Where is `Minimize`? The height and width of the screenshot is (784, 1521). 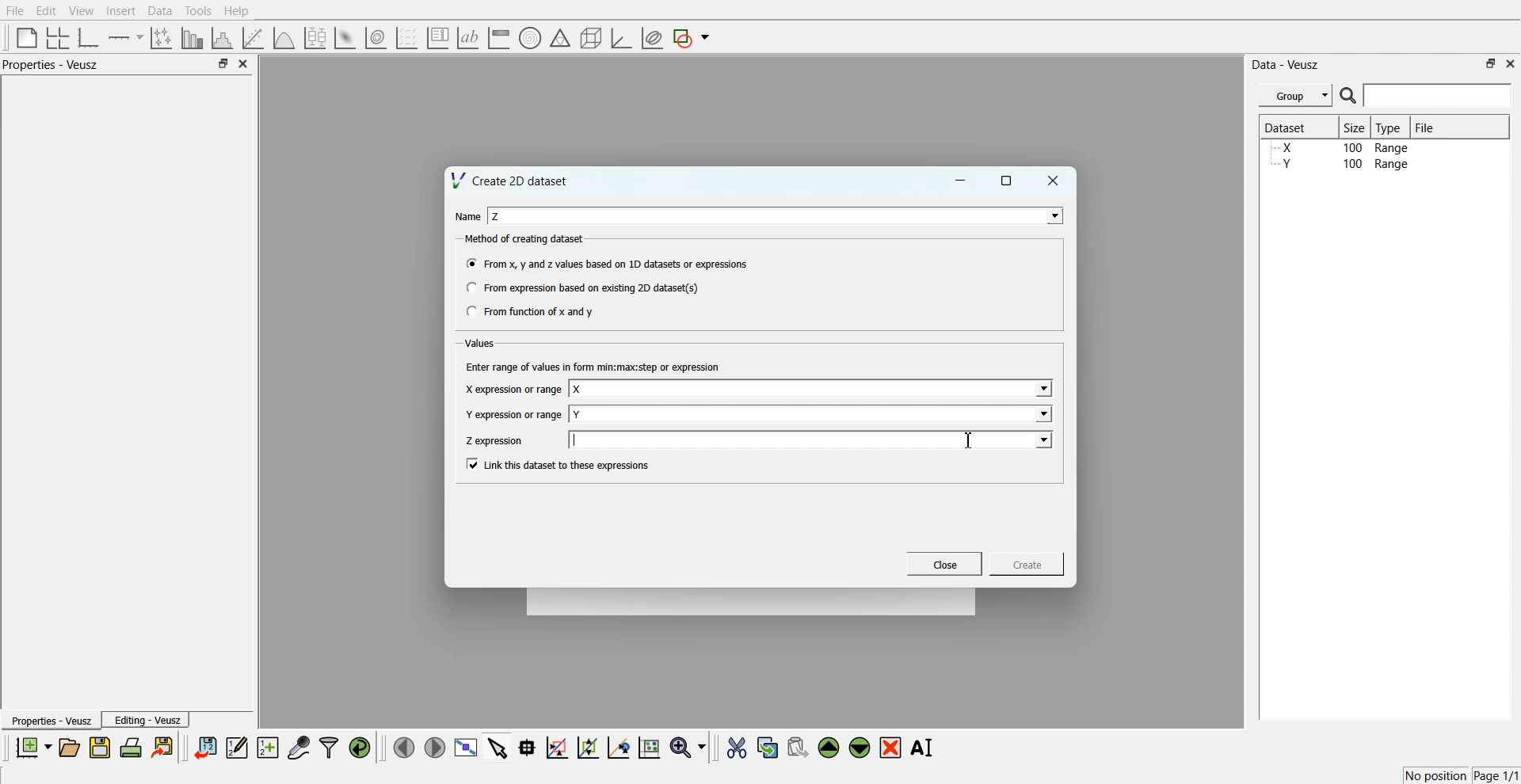 Minimize is located at coordinates (960, 181).